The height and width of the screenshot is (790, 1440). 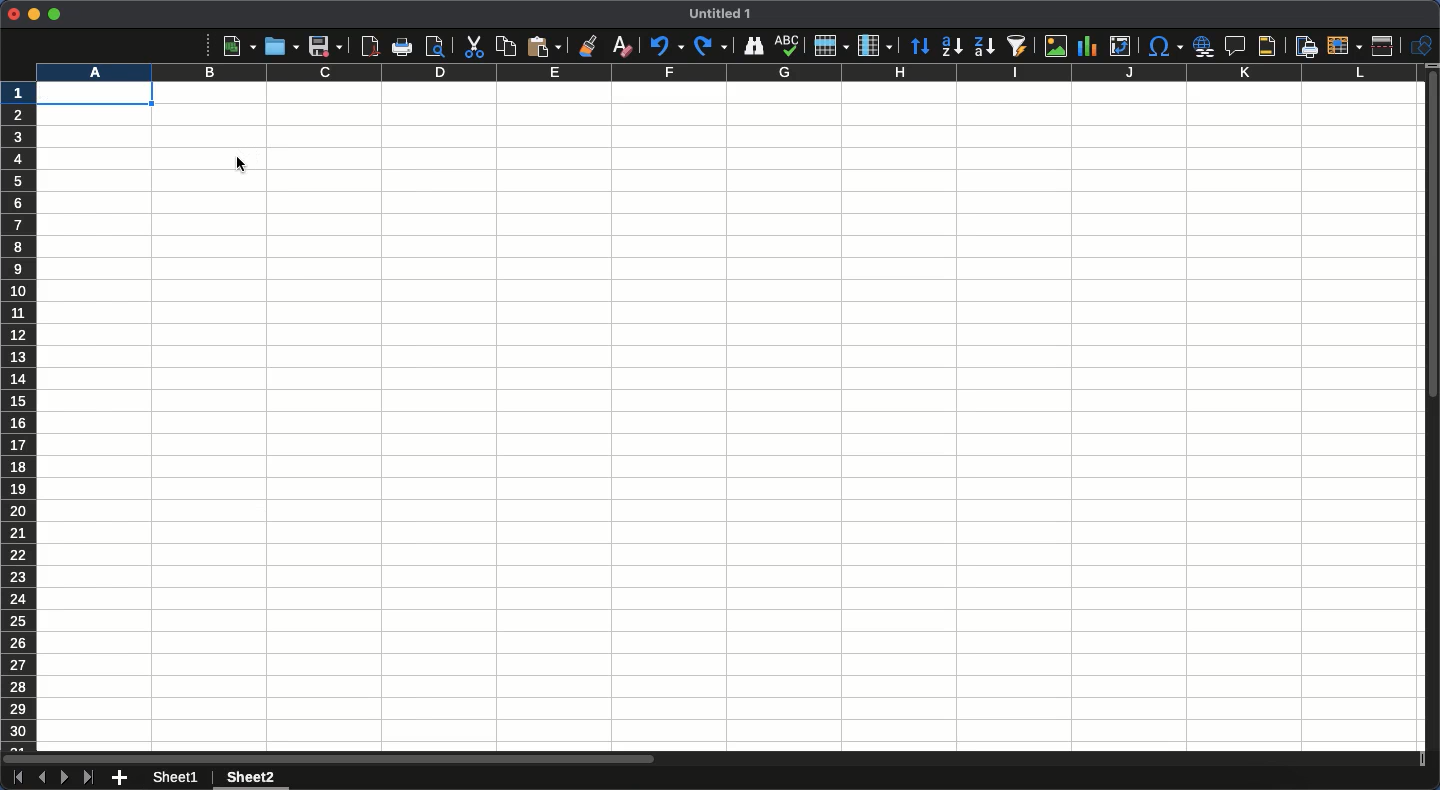 What do you see at coordinates (723, 13) in the screenshot?
I see `Name` at bounding box center [723, 13].